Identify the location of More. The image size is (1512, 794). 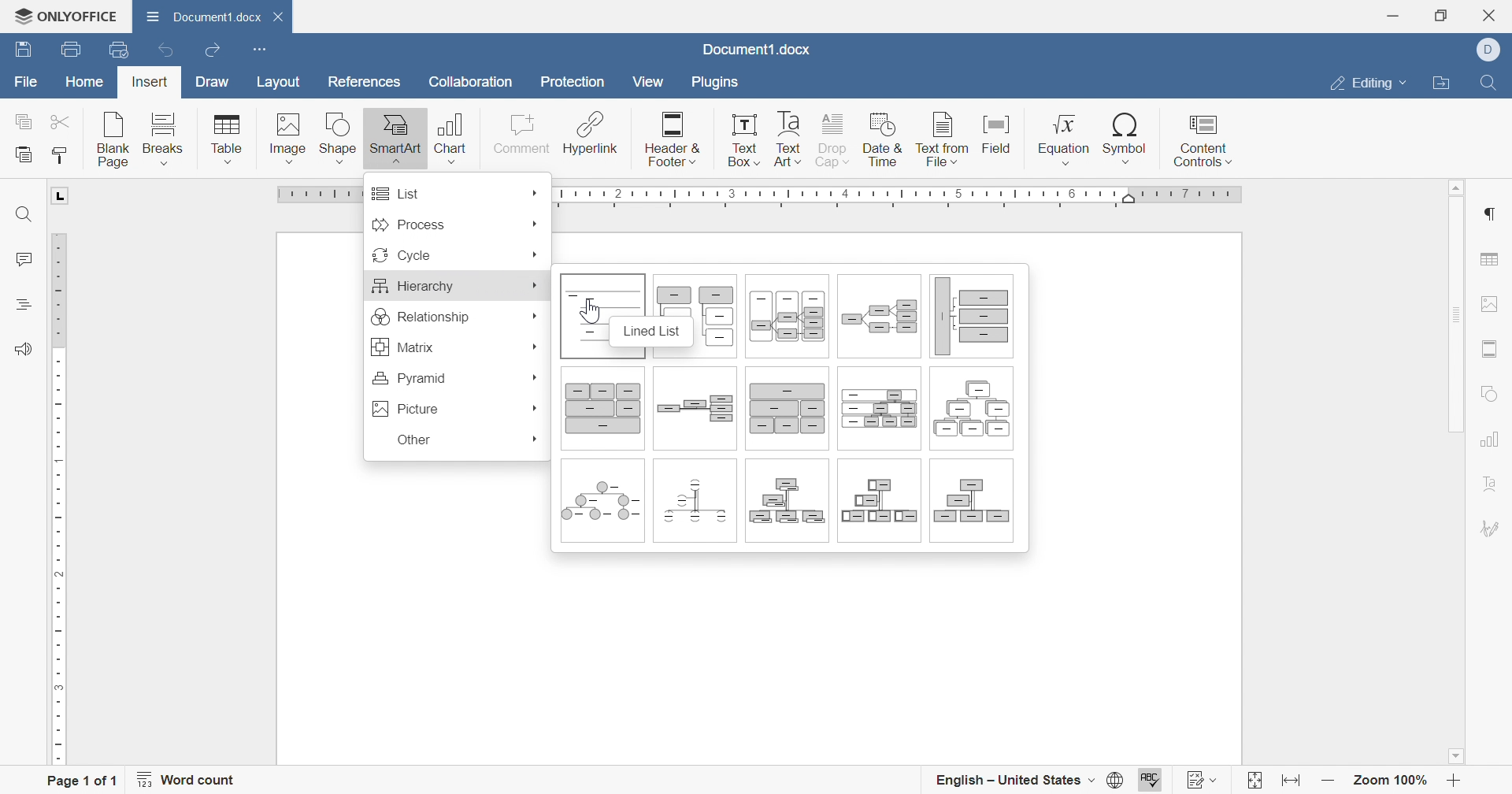
(537, 194).